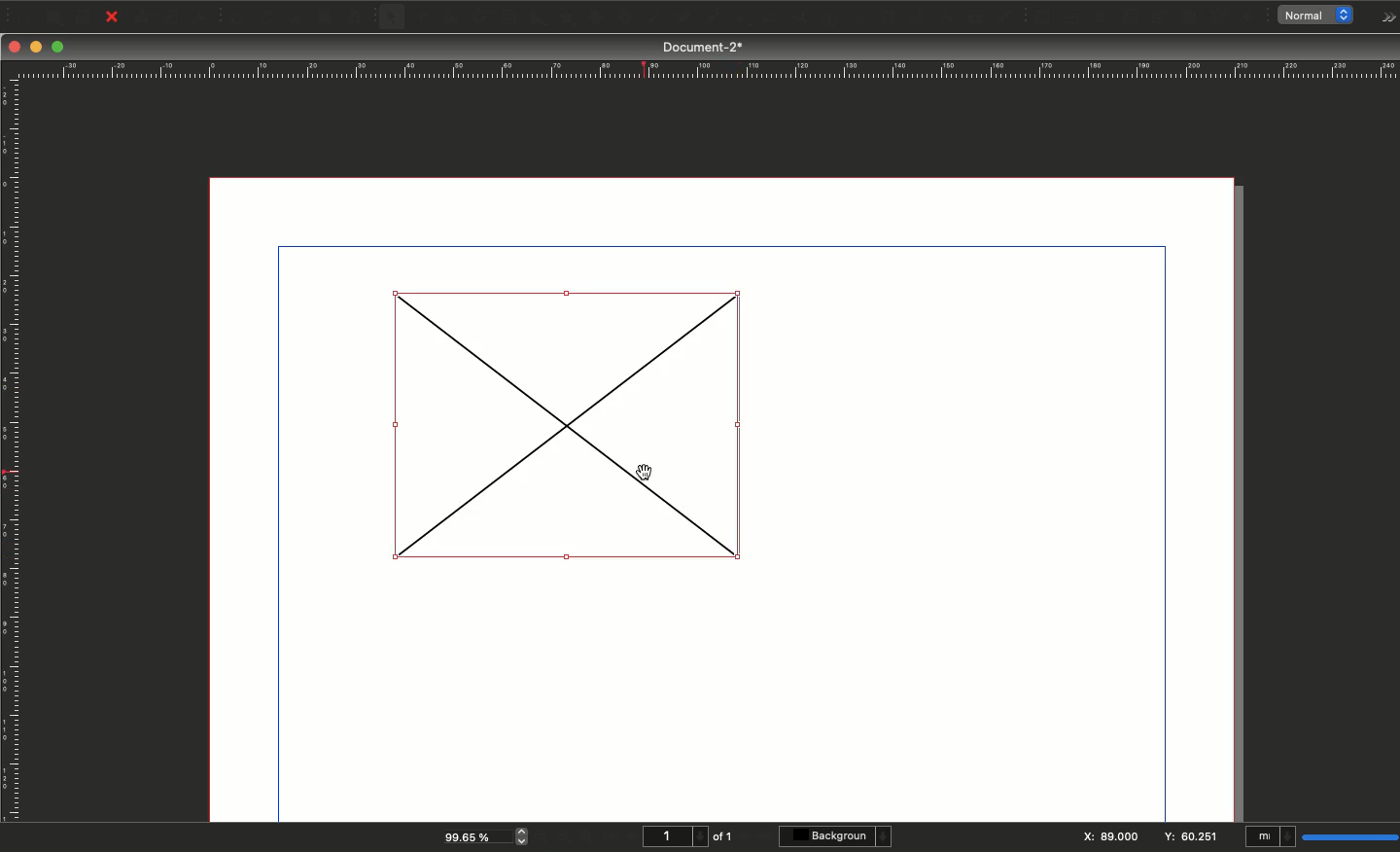 The height and width of the screenshot is (852, 1400). Describe the element at coordinates (472, 835) in the screenshot. I see `99.65 %` at that location.